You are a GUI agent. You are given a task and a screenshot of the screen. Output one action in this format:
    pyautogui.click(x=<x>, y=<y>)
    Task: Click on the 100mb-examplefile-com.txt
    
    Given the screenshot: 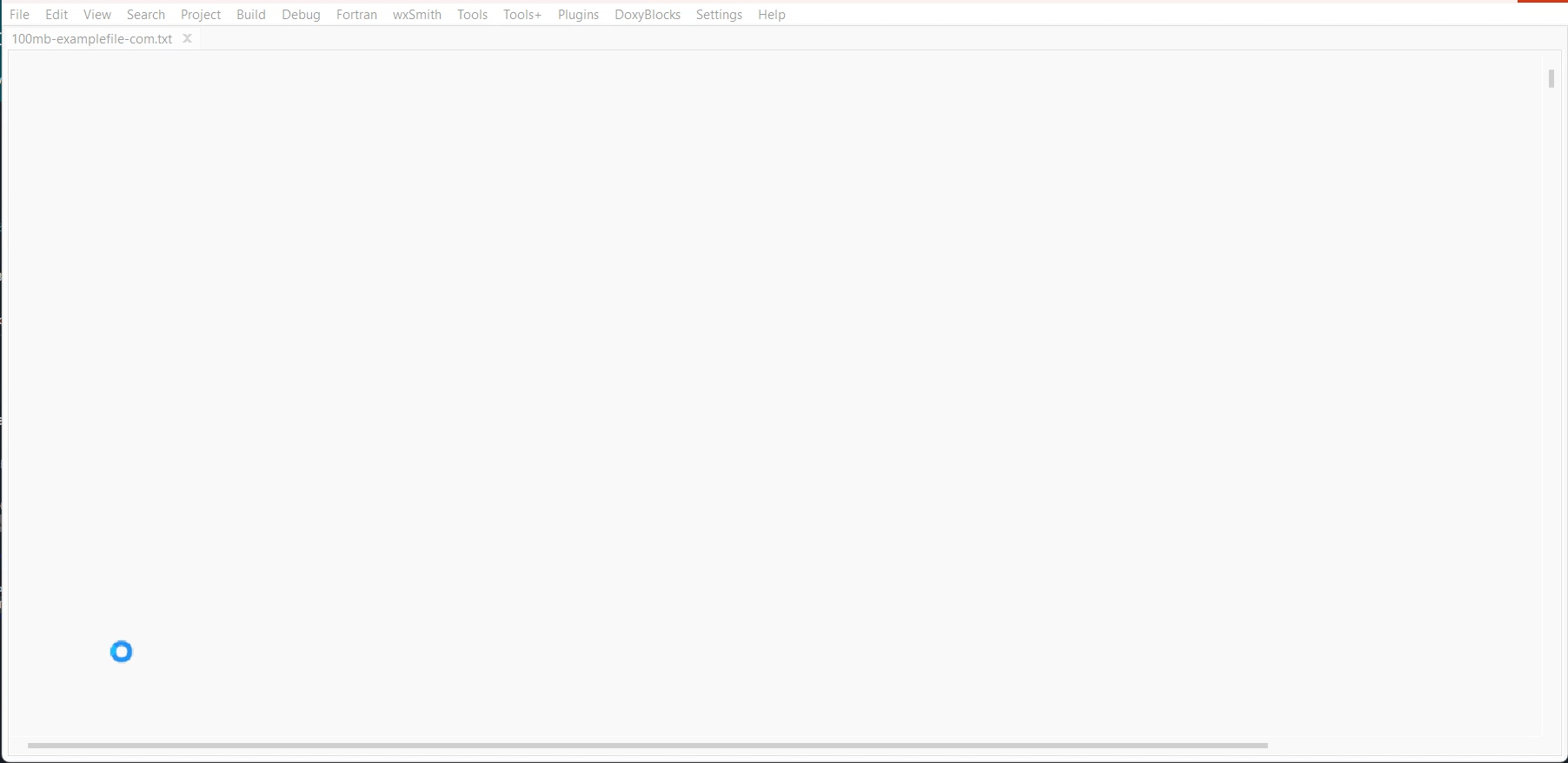 What is the action you would take?
    pyautogui.click(x=100, y=37)
    